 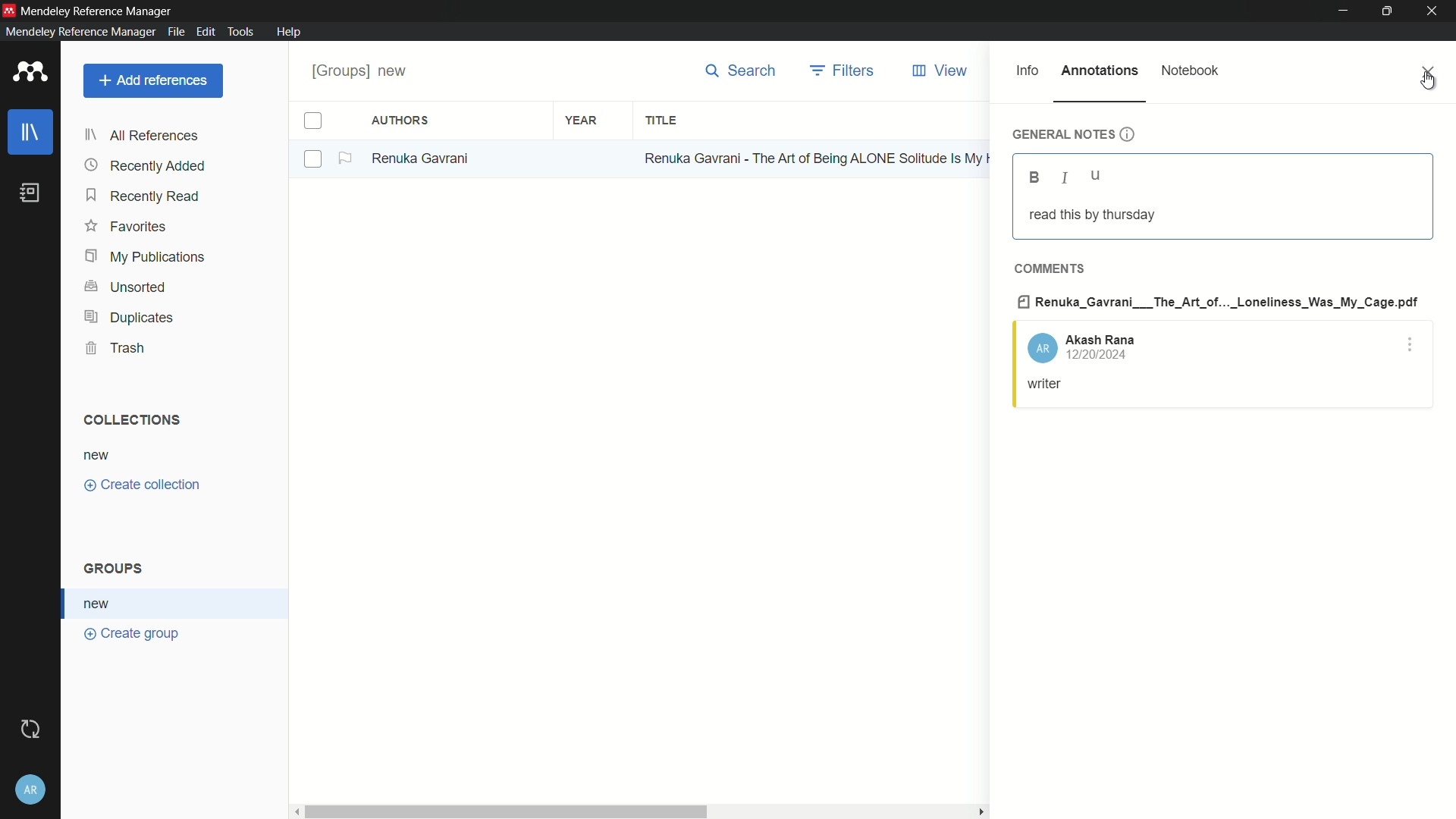 What do you see at coordinates (115, 348) in the screenshot?
I see `trash` at bounding box center [115, 348].